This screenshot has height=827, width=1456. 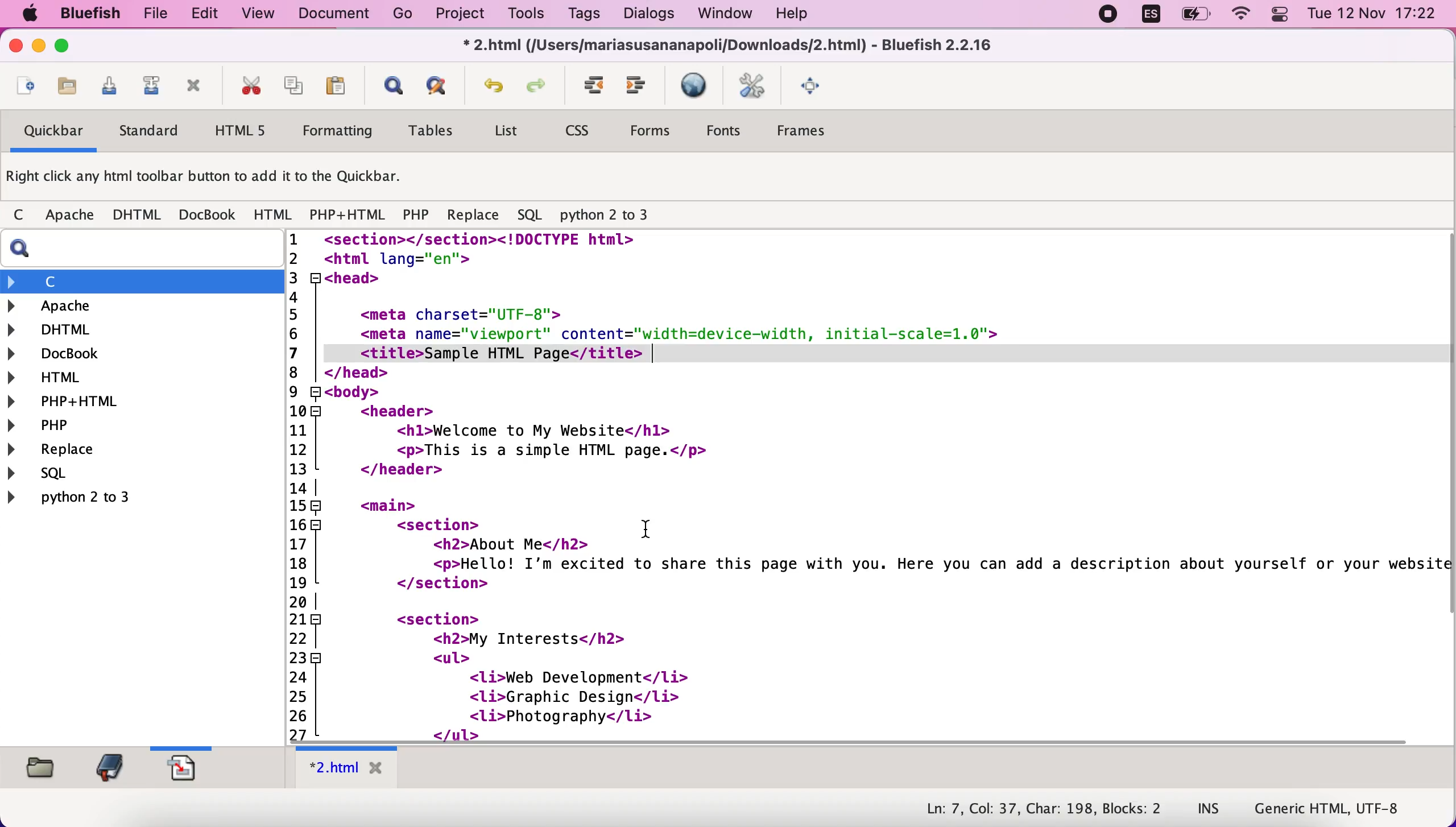 I want to click on docbook, so click(x=209, y=214).